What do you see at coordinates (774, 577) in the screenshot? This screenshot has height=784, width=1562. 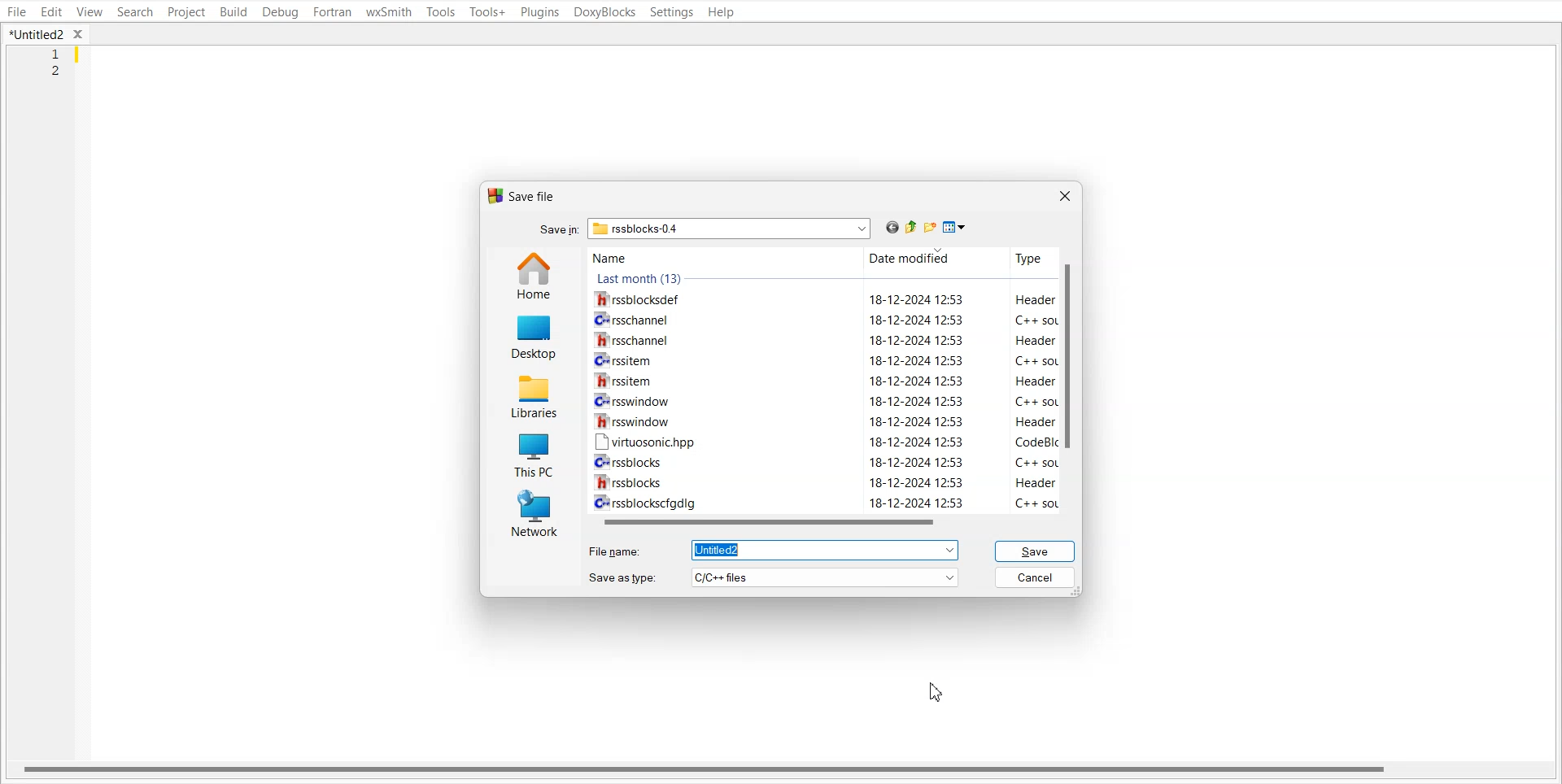 I see `Save as type` at bounding box center [774, 577].